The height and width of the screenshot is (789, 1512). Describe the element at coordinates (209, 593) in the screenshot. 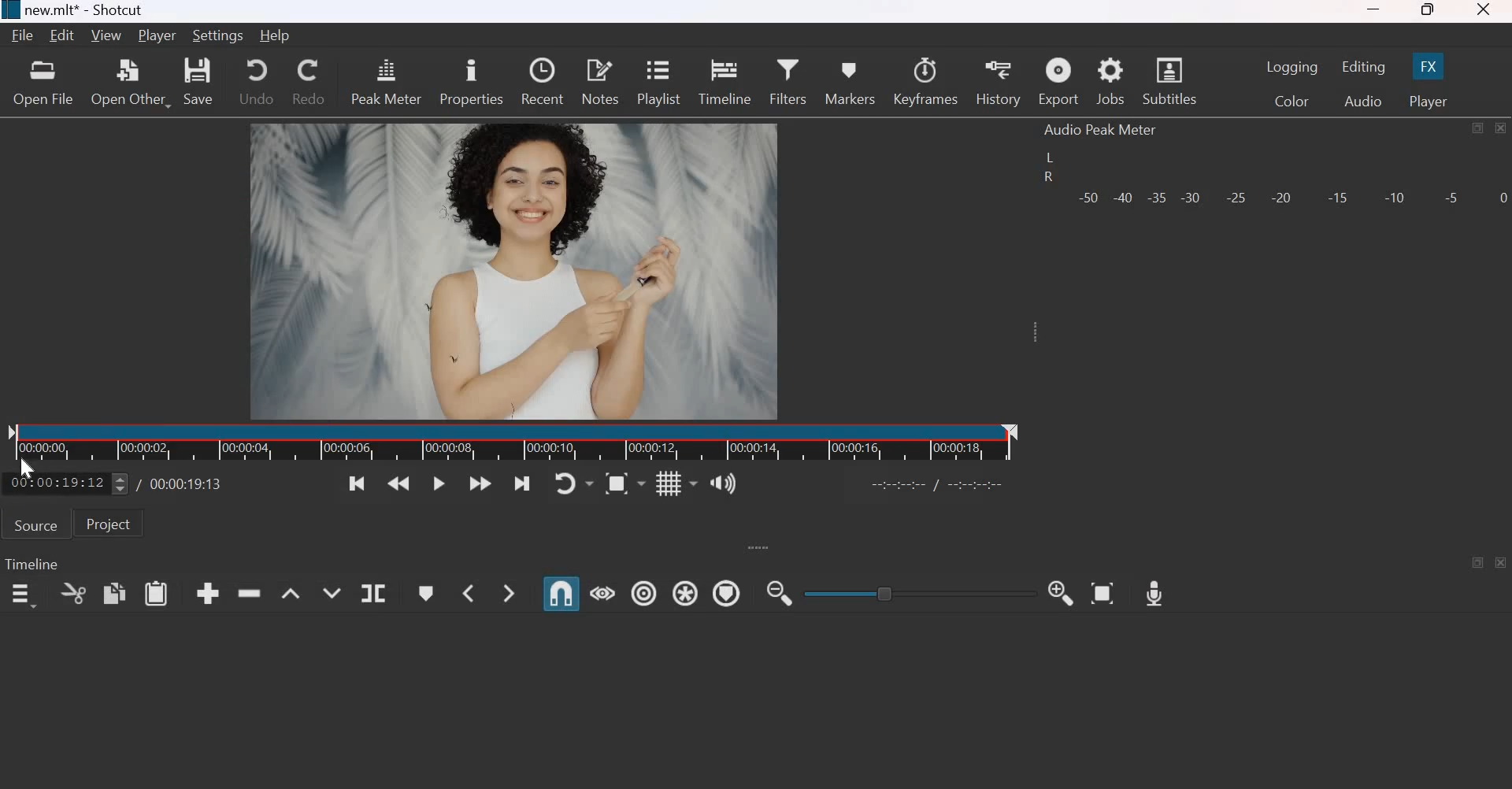

I see `append` at that location.